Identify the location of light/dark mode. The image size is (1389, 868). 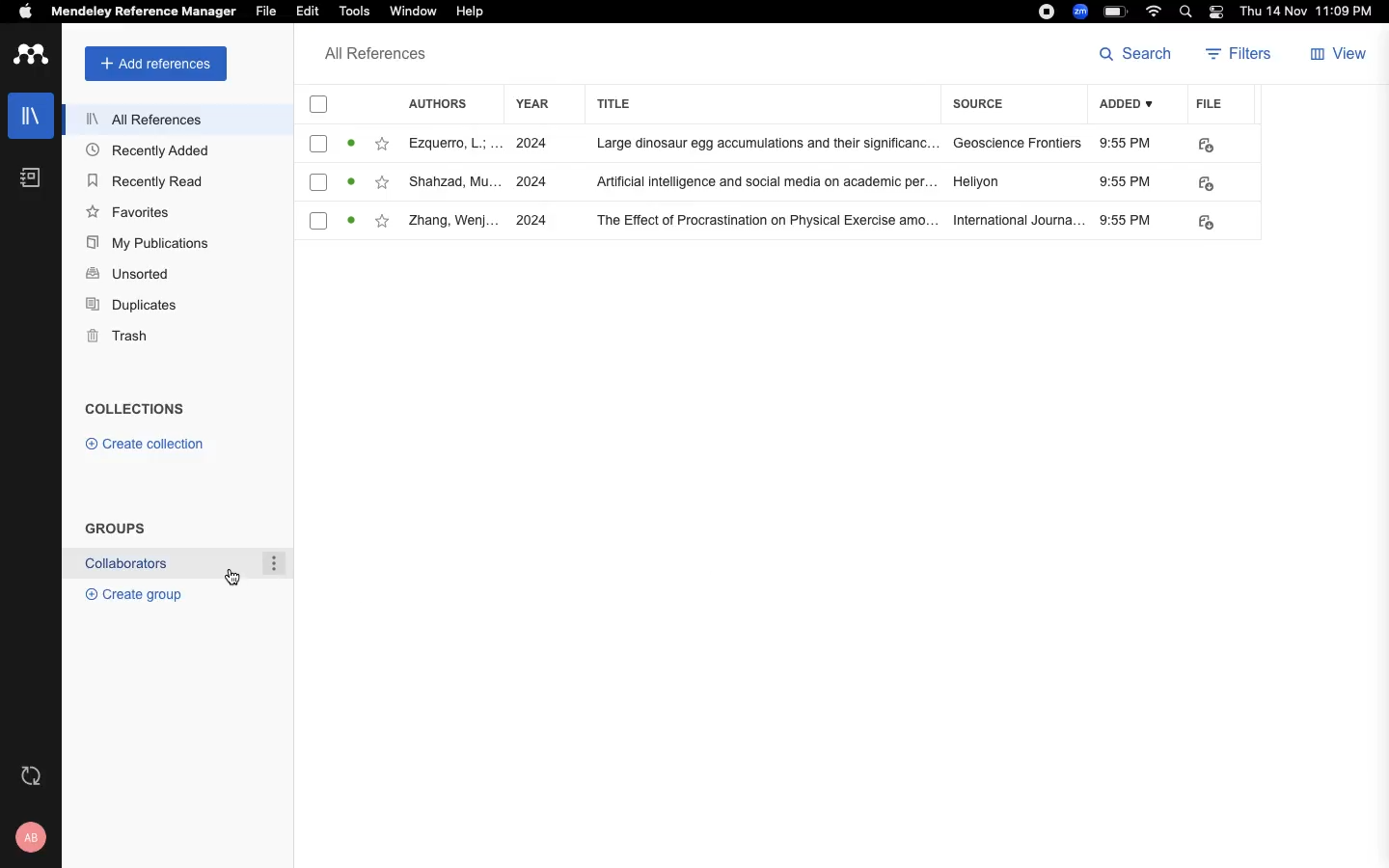
(1215, 12).